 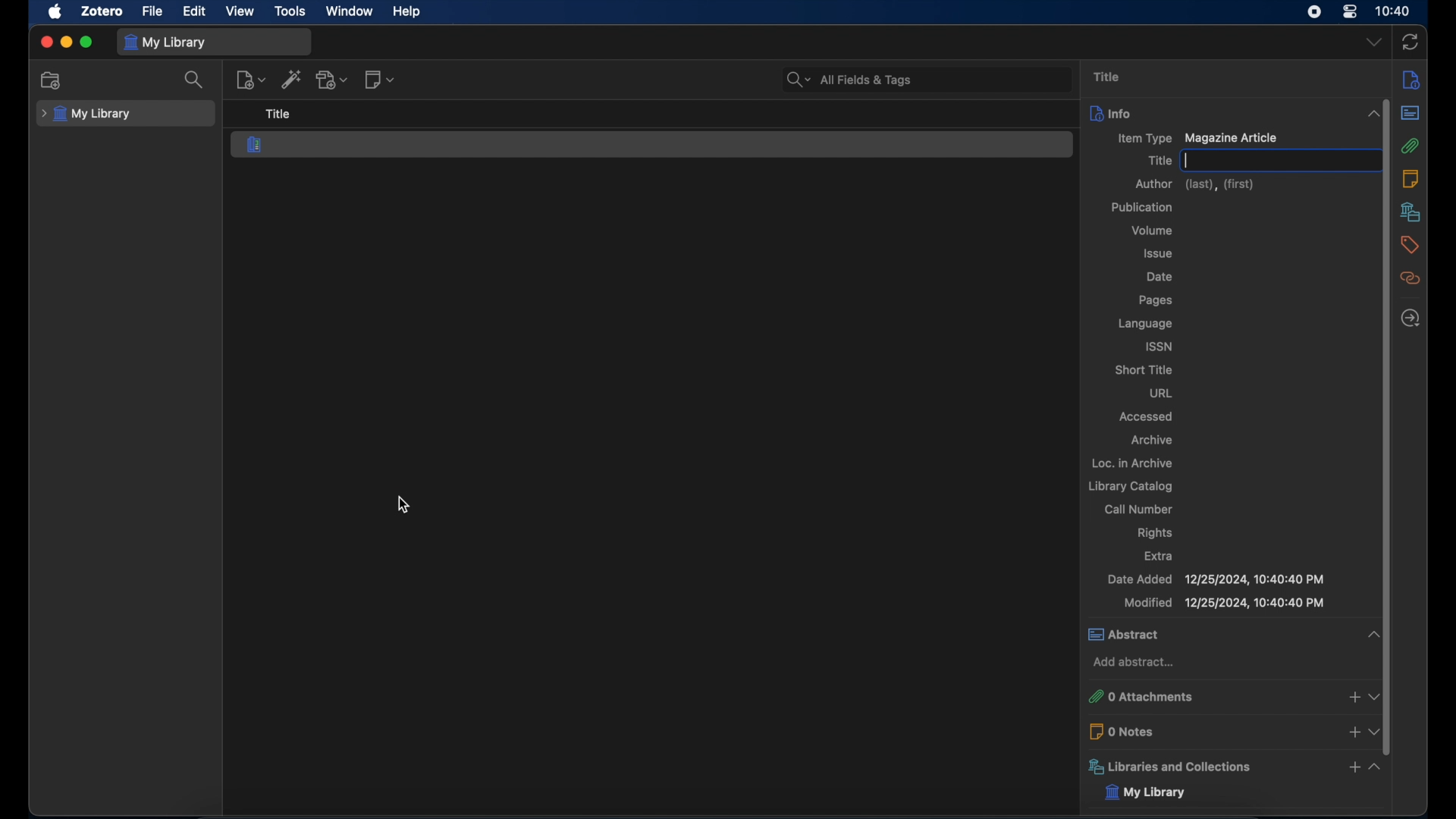 What do you see at coordinates (1200, 161) in the screenshot?
I see `name` at bounding box center [1200, 161].